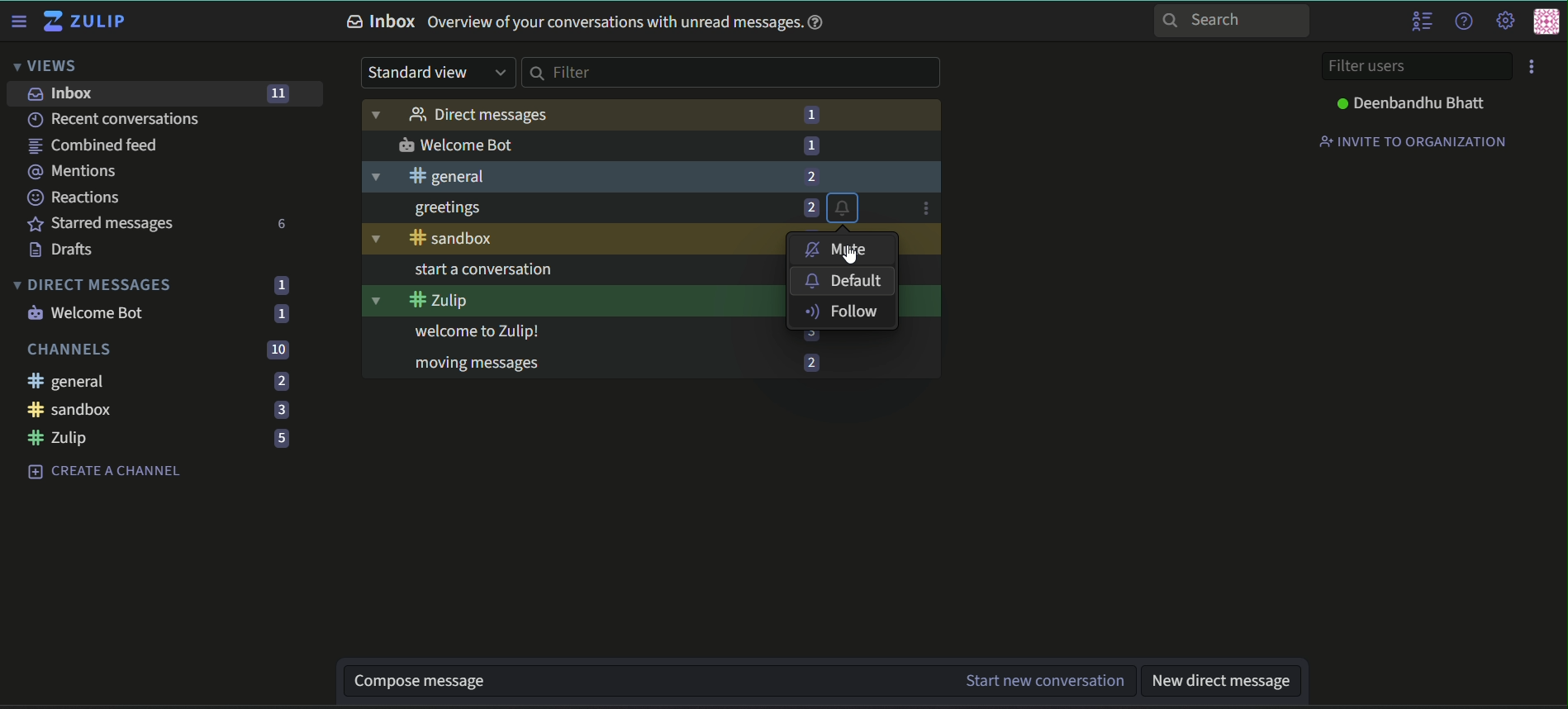 This screenshot has height=709, width=1568. What do you see at coordinates (642, 682) in the screenshot?
I see `compose message` at bounding box center [642, 682].